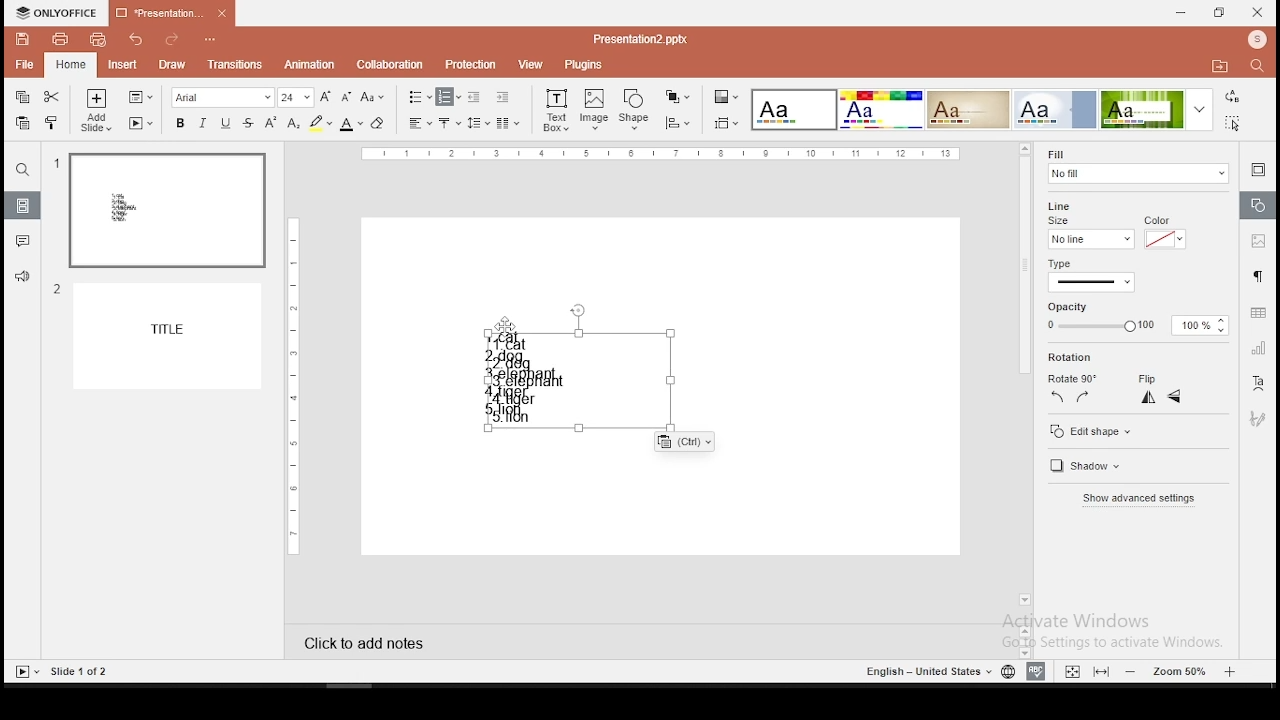 This screenshot has width=1280, height=720. Describe the element at coordinates (172, 14) in the screenshot. I see `presentation` at that location.